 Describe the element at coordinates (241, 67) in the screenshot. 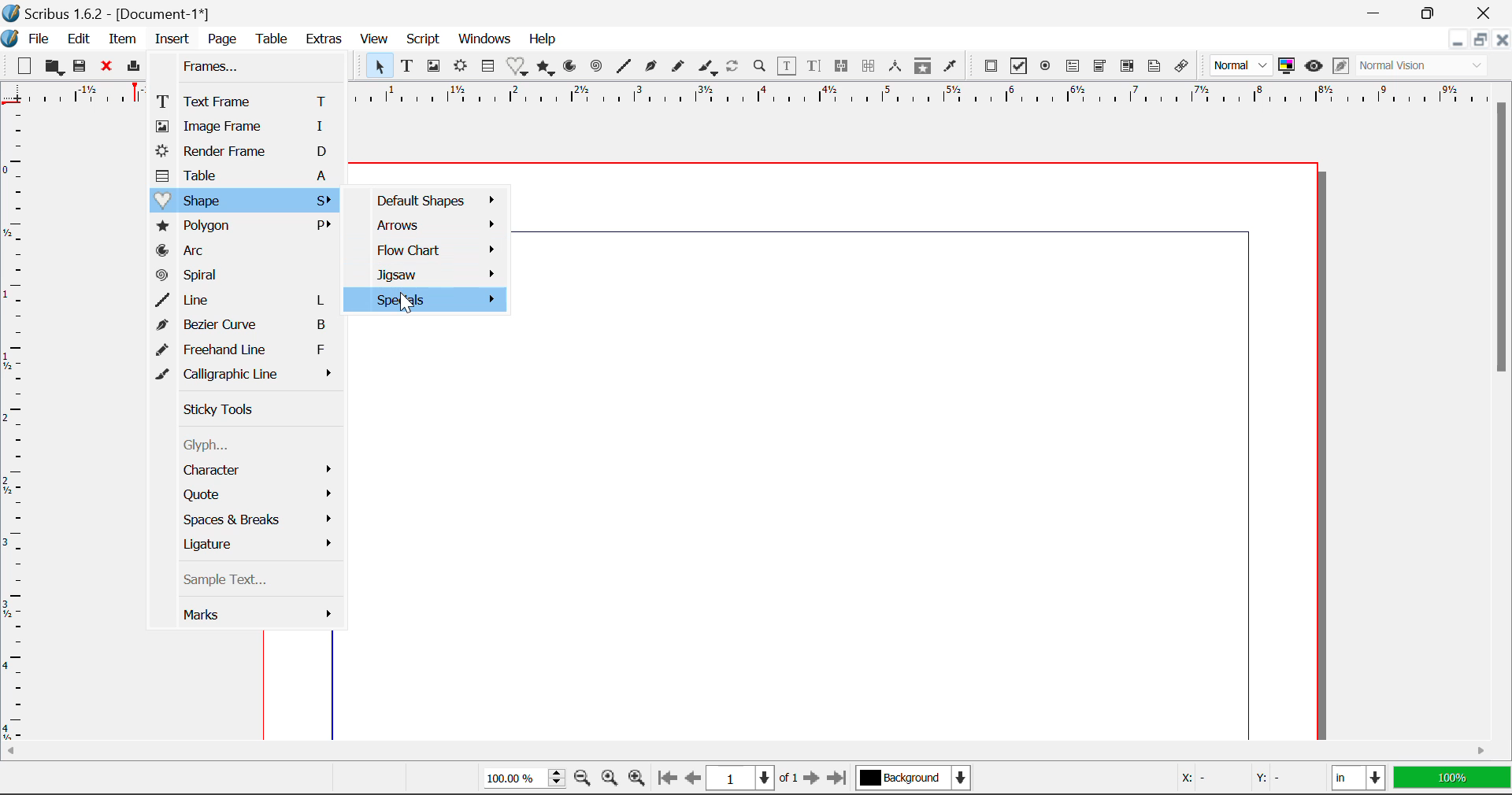

I see `Frames` at that location.